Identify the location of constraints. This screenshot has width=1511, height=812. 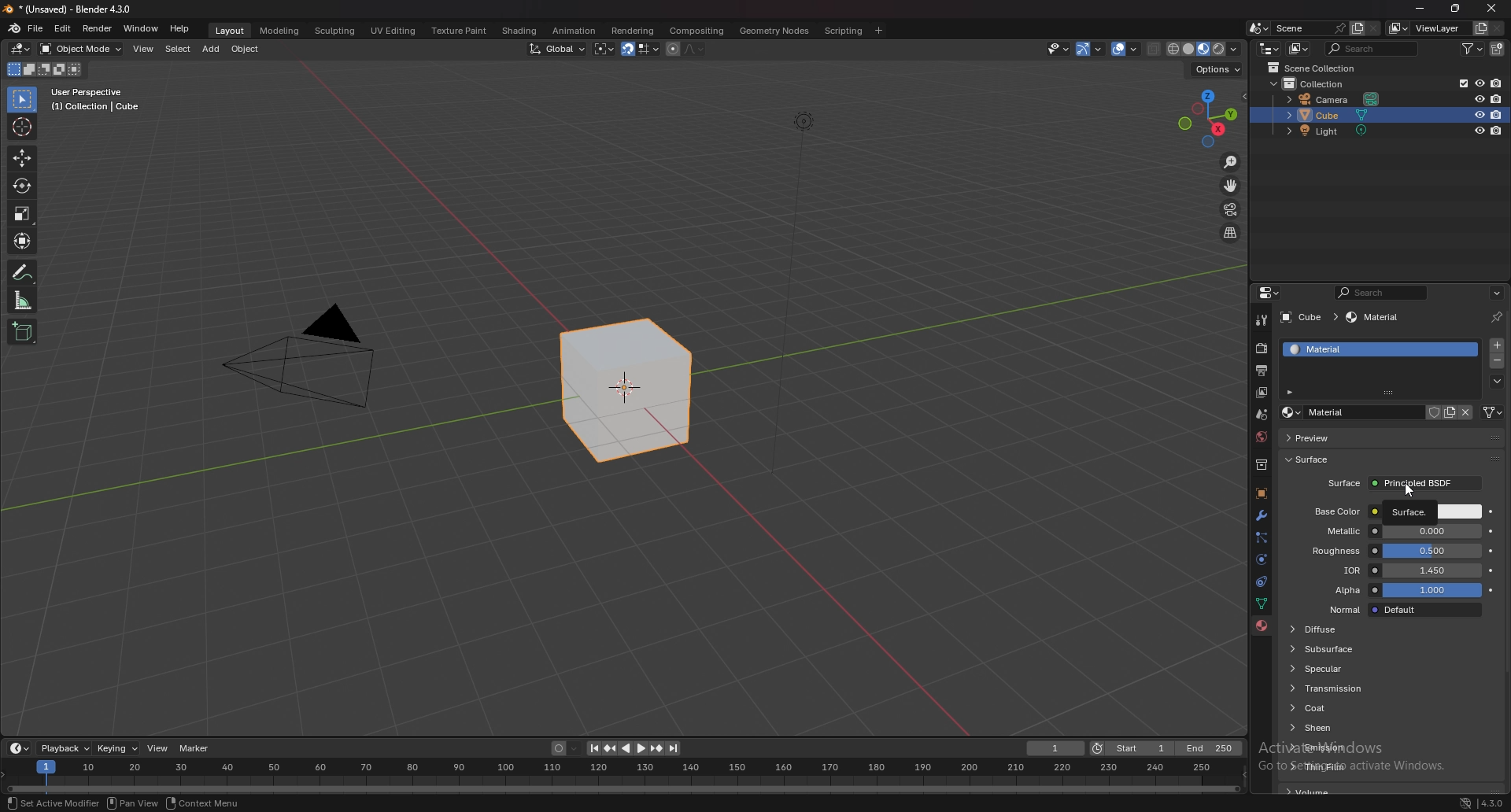
(1258, 582).